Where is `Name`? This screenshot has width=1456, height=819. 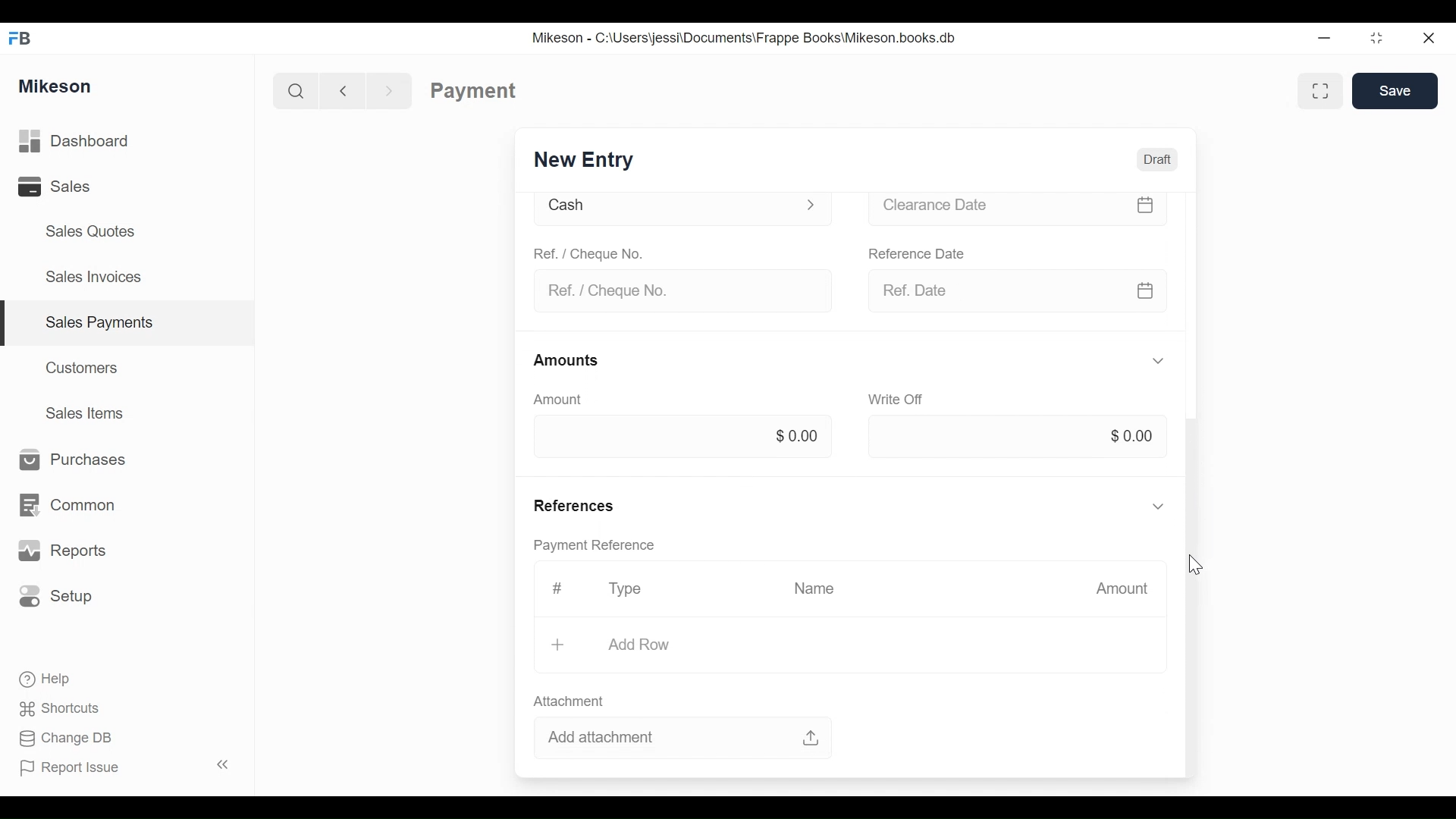
Name is located at coordinates (818, 588).